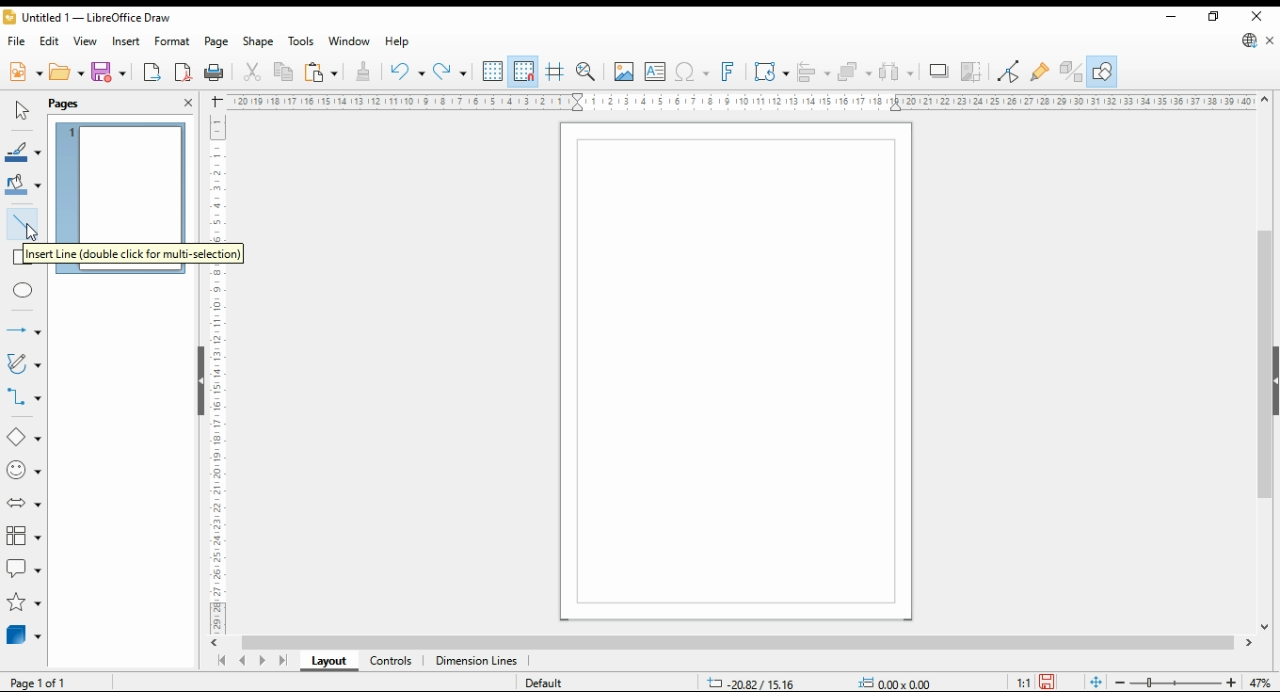  I want to click on insert, so click(126, 41).